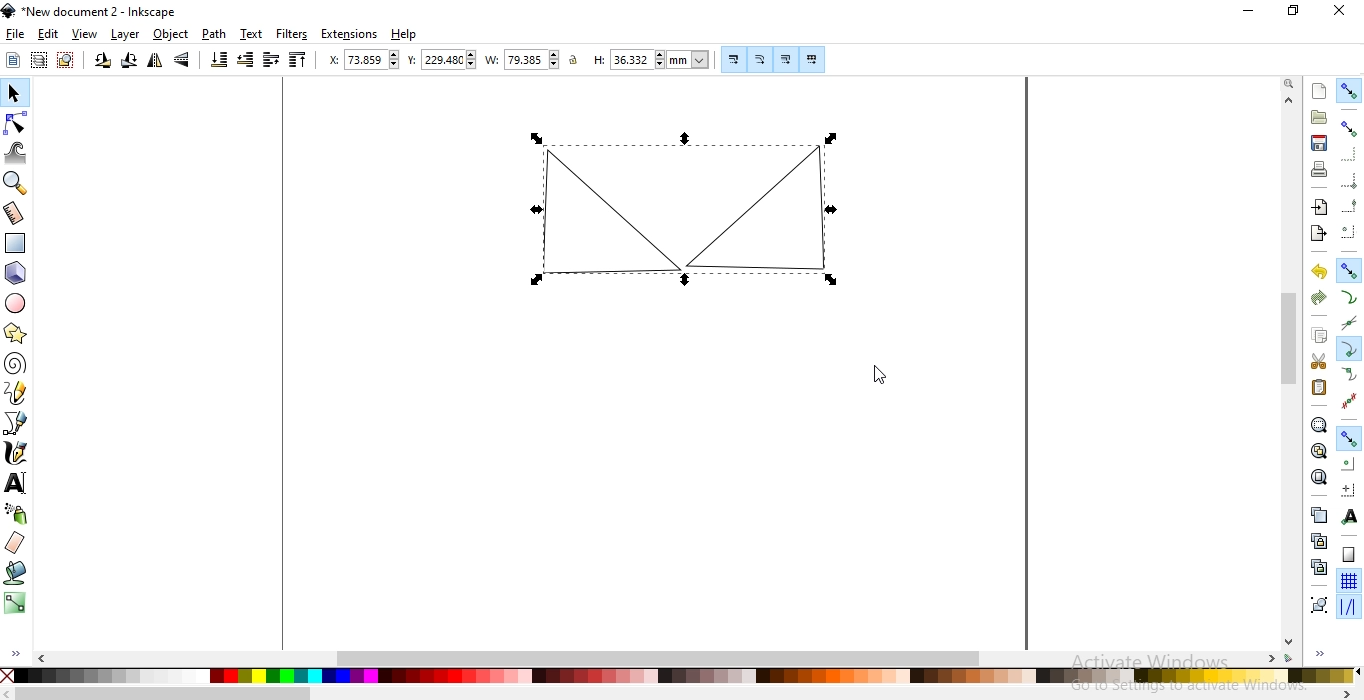 The image size is (1364, 700). Describe the element at coordinates (183, 61) in the screenshot. I see `flip vertically` at that location.